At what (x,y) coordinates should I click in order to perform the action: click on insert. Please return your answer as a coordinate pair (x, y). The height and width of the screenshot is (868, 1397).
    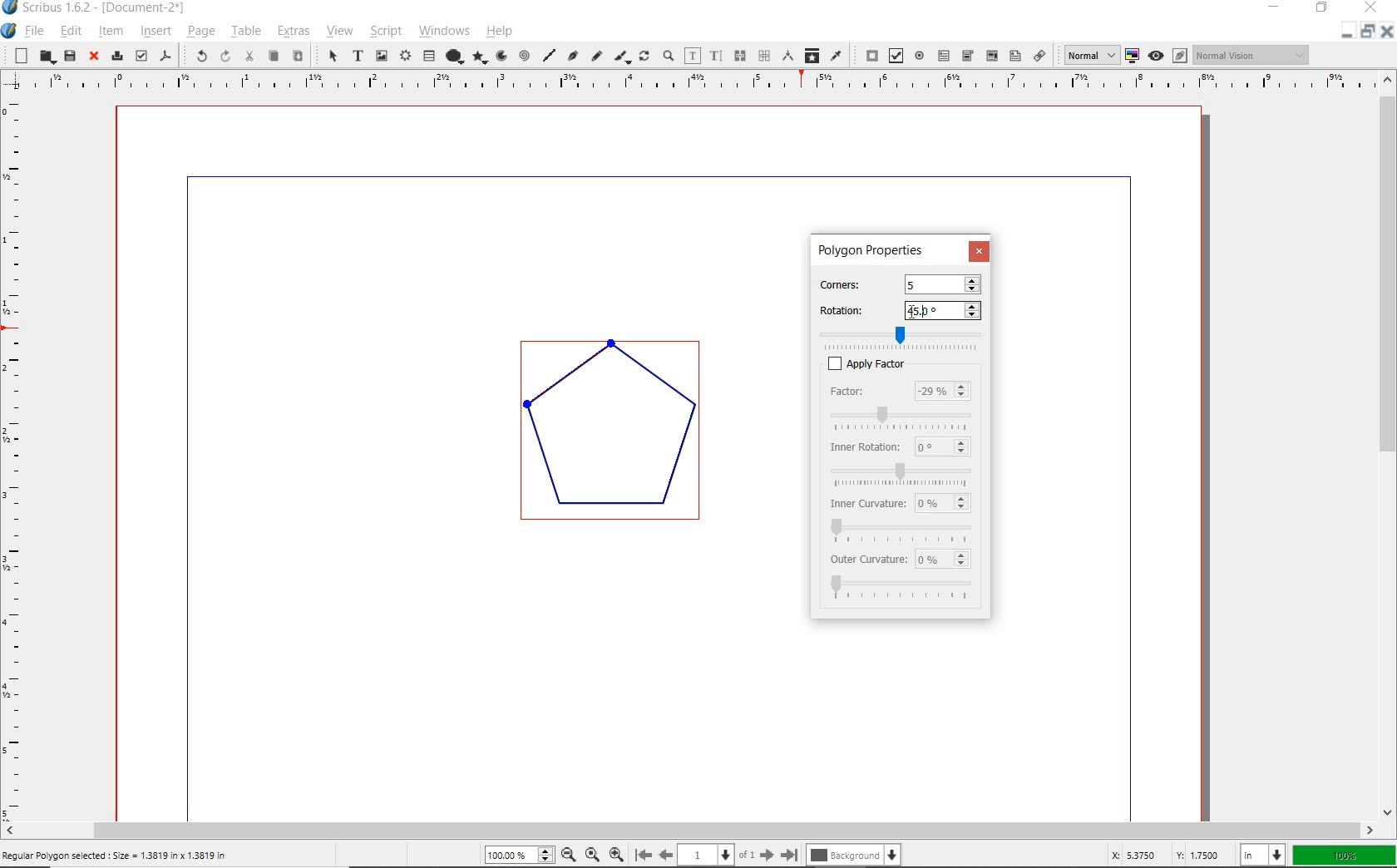
    Looking at the image, I should click on (155, 31).